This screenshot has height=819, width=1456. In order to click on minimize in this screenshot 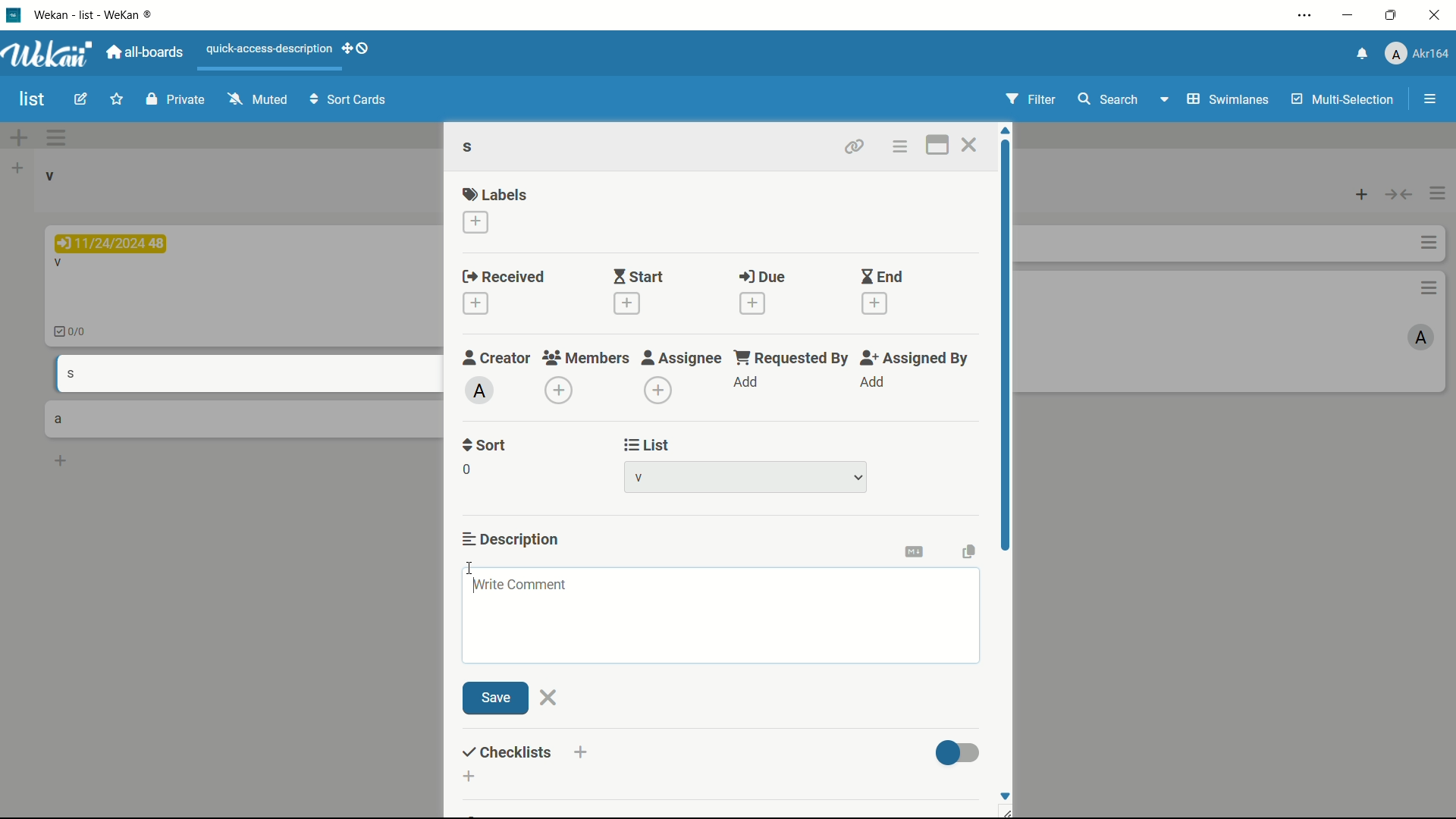, I will do `click(1350, 15)`.